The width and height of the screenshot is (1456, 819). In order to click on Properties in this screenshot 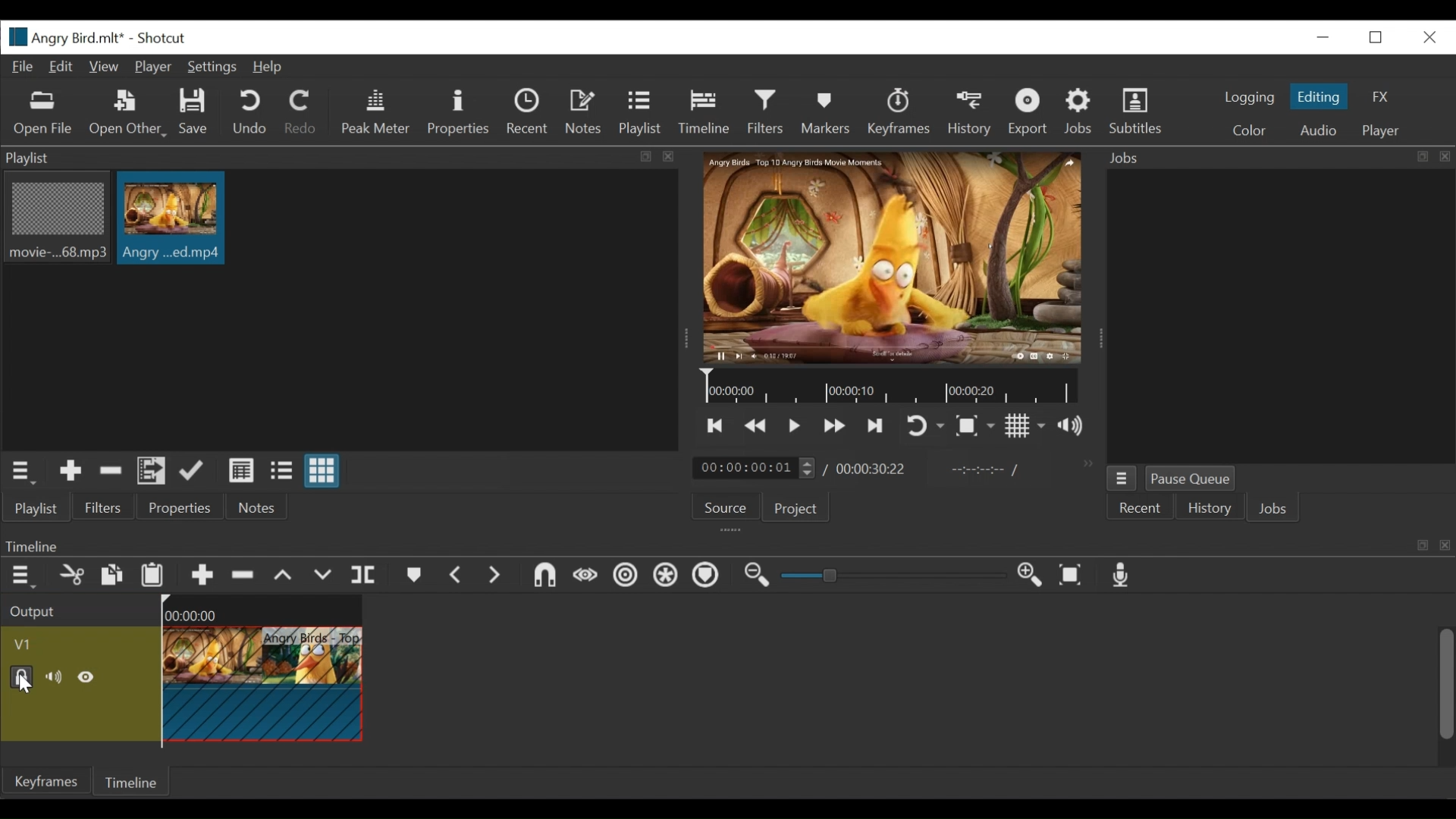, I will do `click(457, 114)`.